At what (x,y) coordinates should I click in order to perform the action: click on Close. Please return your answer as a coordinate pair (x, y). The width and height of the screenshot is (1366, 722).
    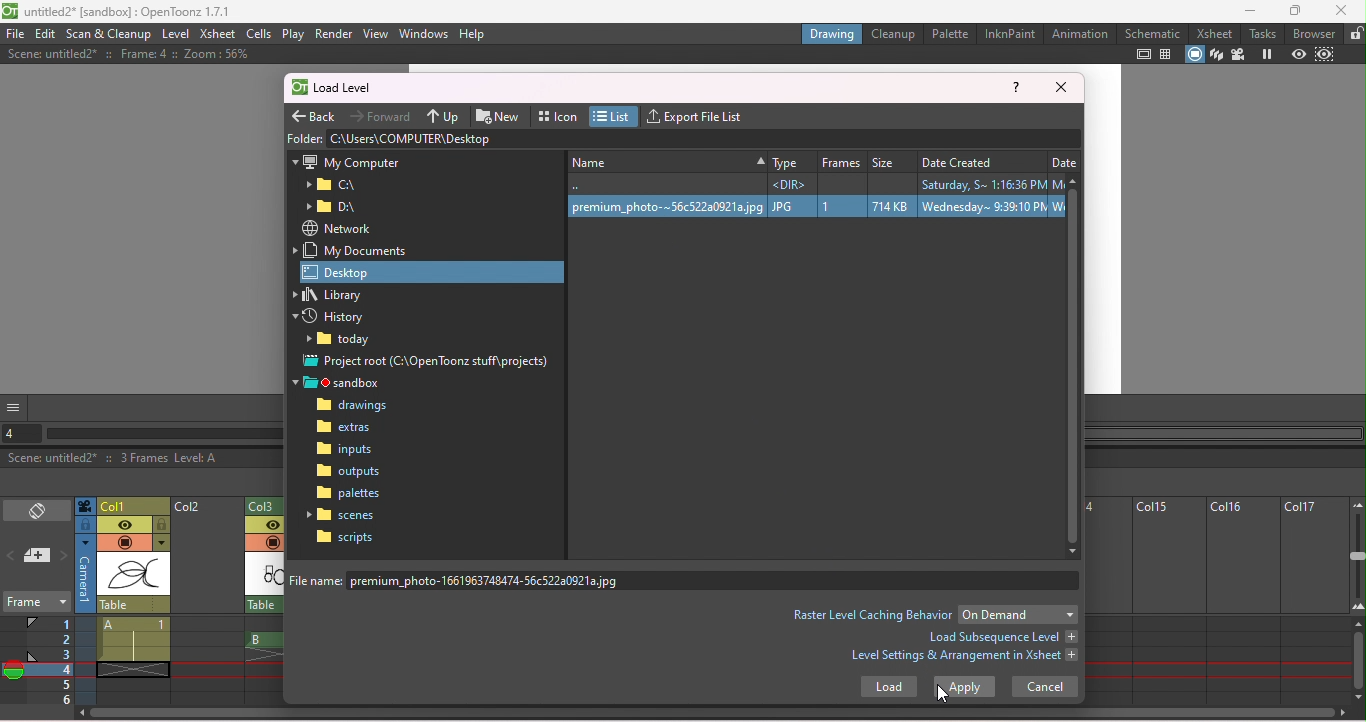
    Looking at the image, I should click on (1341, 10).